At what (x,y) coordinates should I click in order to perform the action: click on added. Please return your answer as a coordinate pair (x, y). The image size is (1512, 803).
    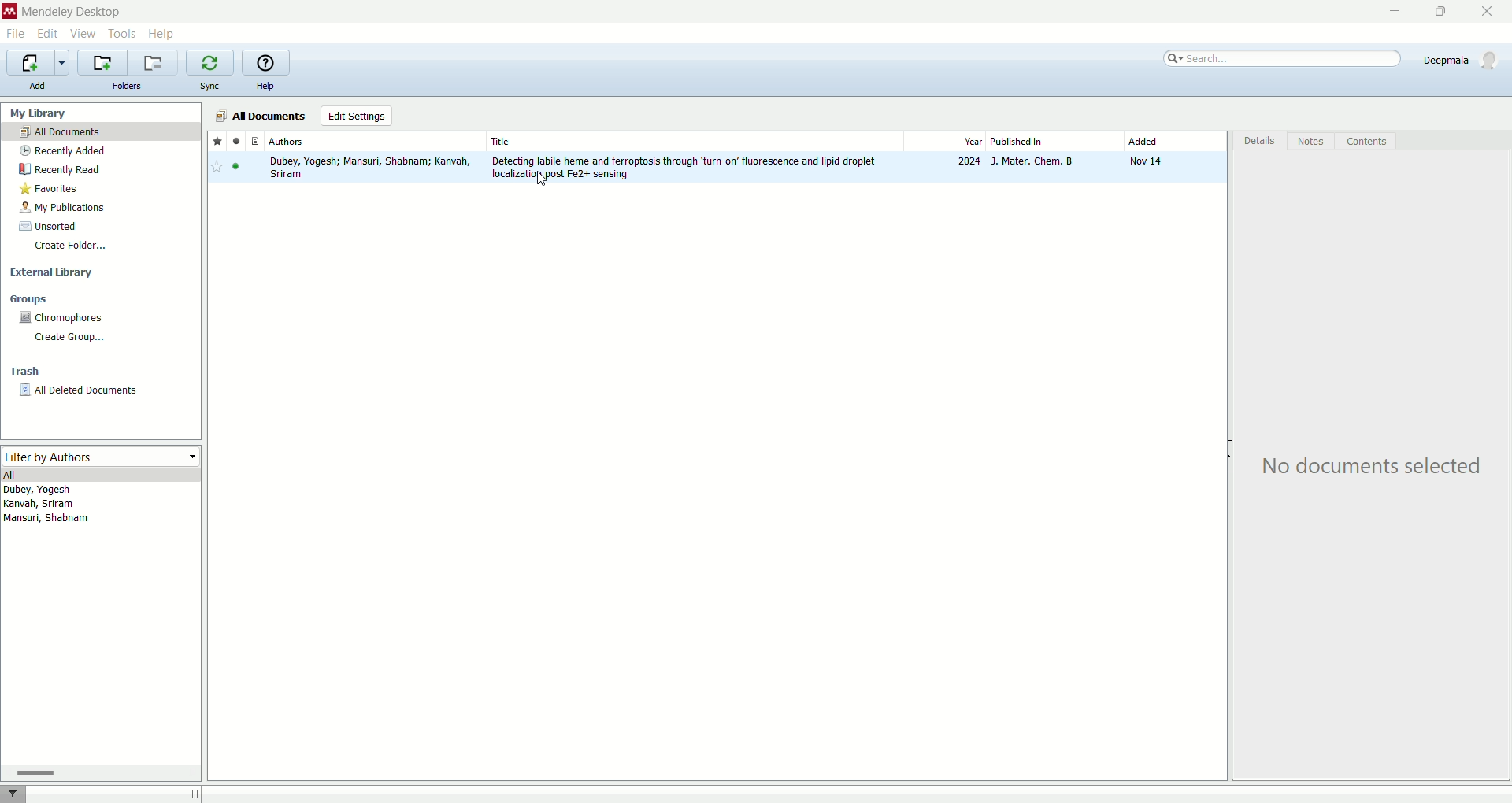
    Looking at the image, I should click on (1173, 141).